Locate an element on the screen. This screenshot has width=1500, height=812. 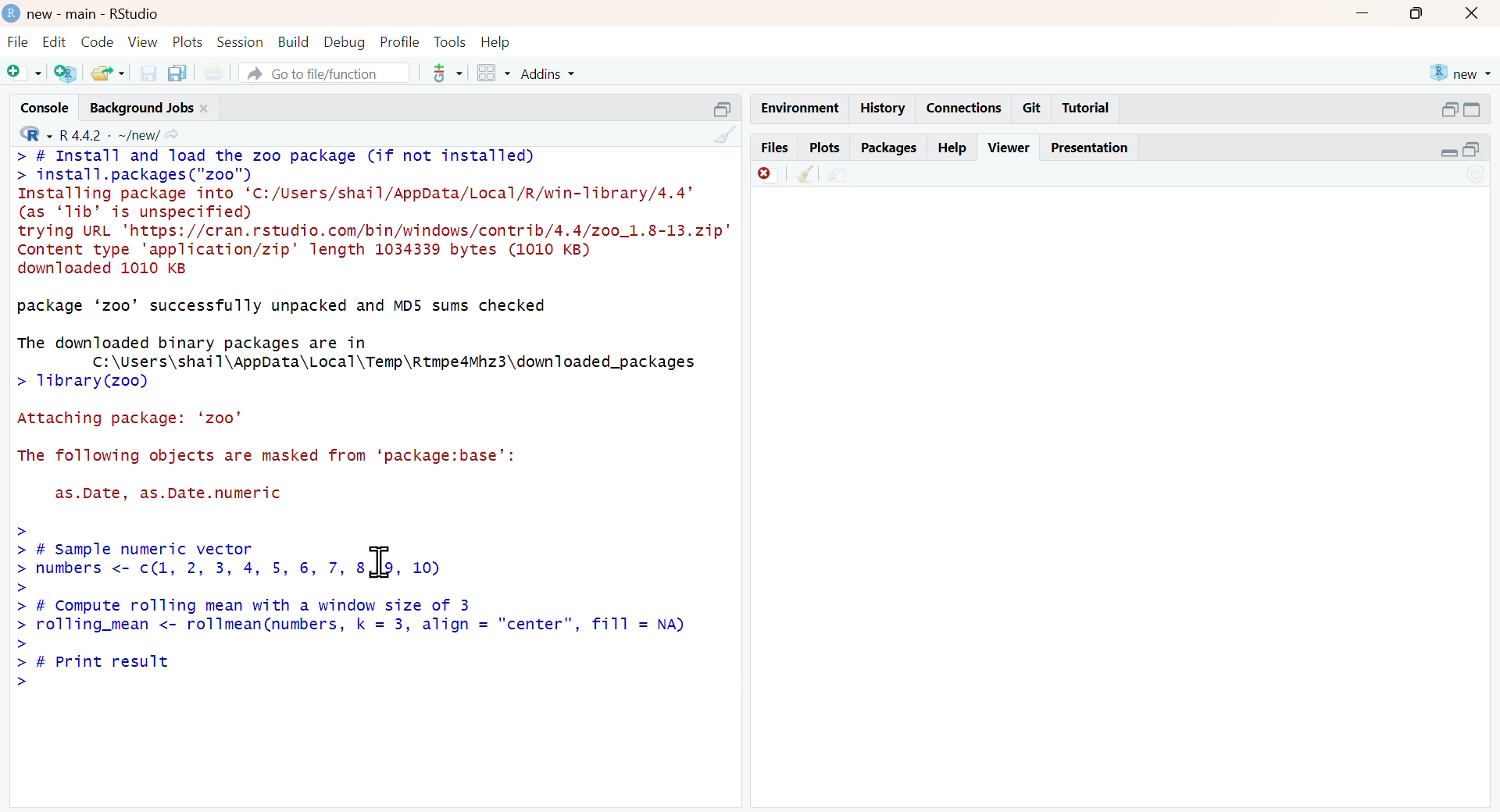
new is located at coordinates (1460, 74).